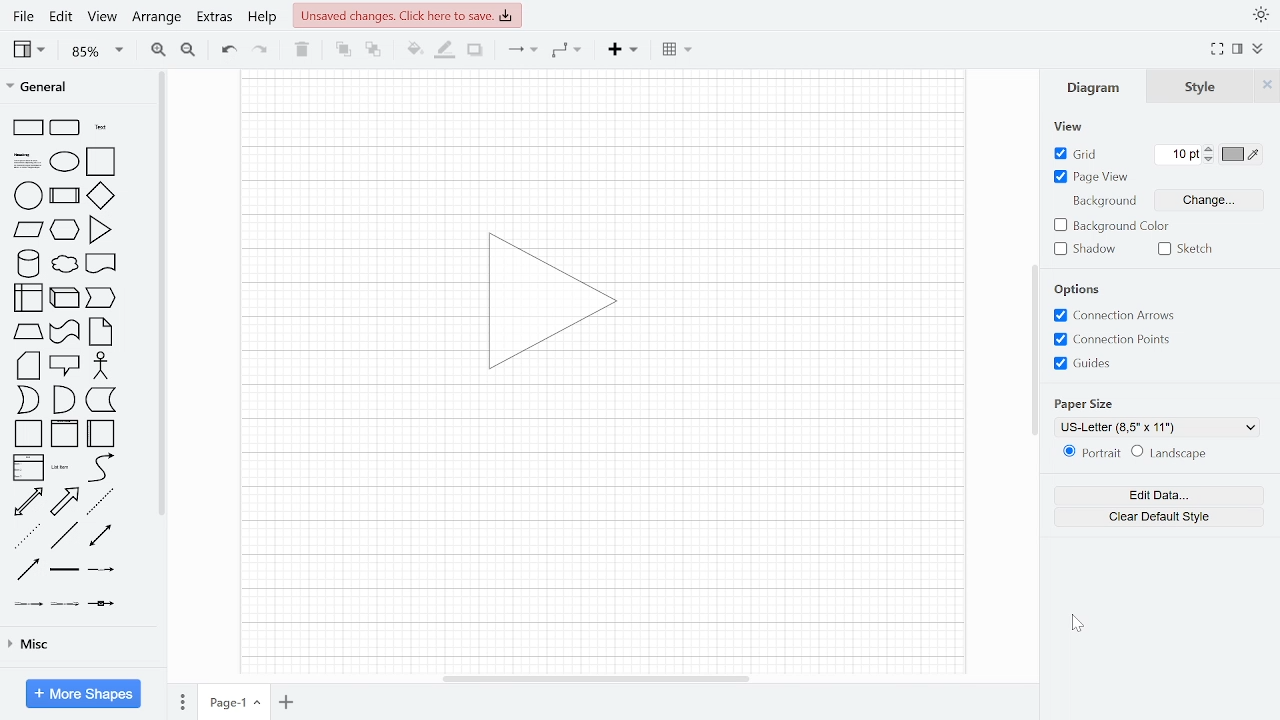 The height and width of the screenshot is (720, 1280). Describe the element at coordinates (1157, 428) in the screenshot. I see `Paper size options` at that location.